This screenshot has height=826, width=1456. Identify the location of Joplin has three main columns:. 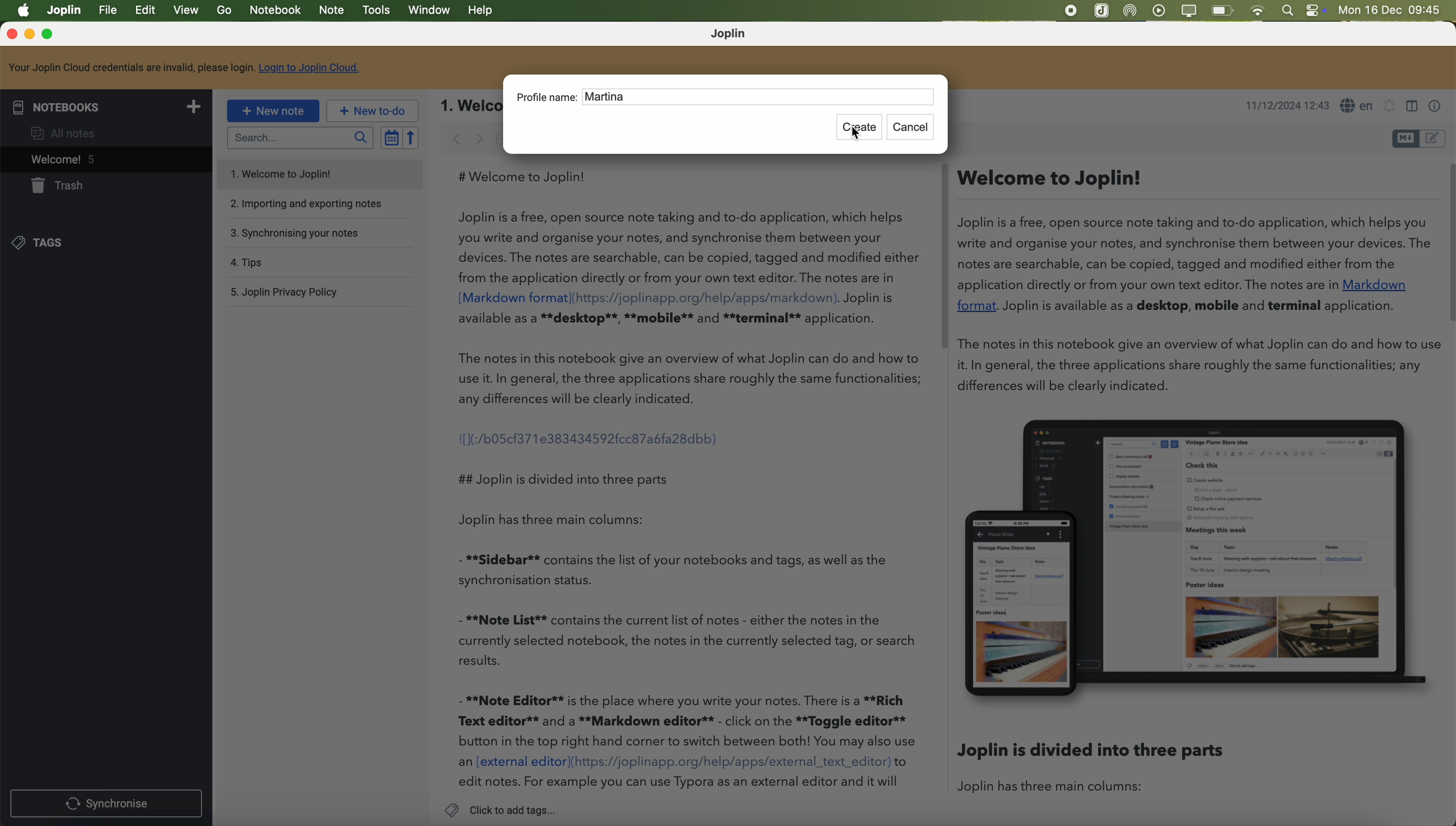
(568, 520).